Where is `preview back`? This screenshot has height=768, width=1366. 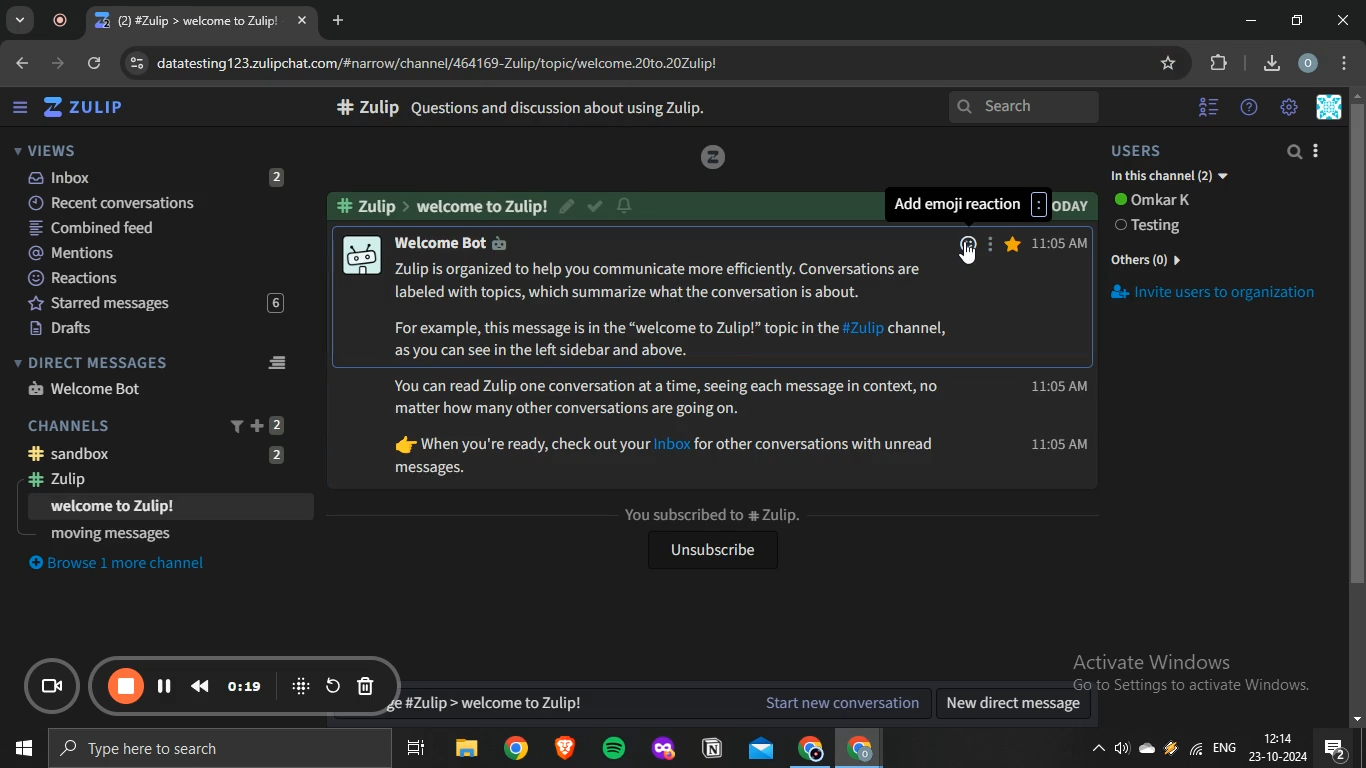
preview back is located at coordinates (200, 685).